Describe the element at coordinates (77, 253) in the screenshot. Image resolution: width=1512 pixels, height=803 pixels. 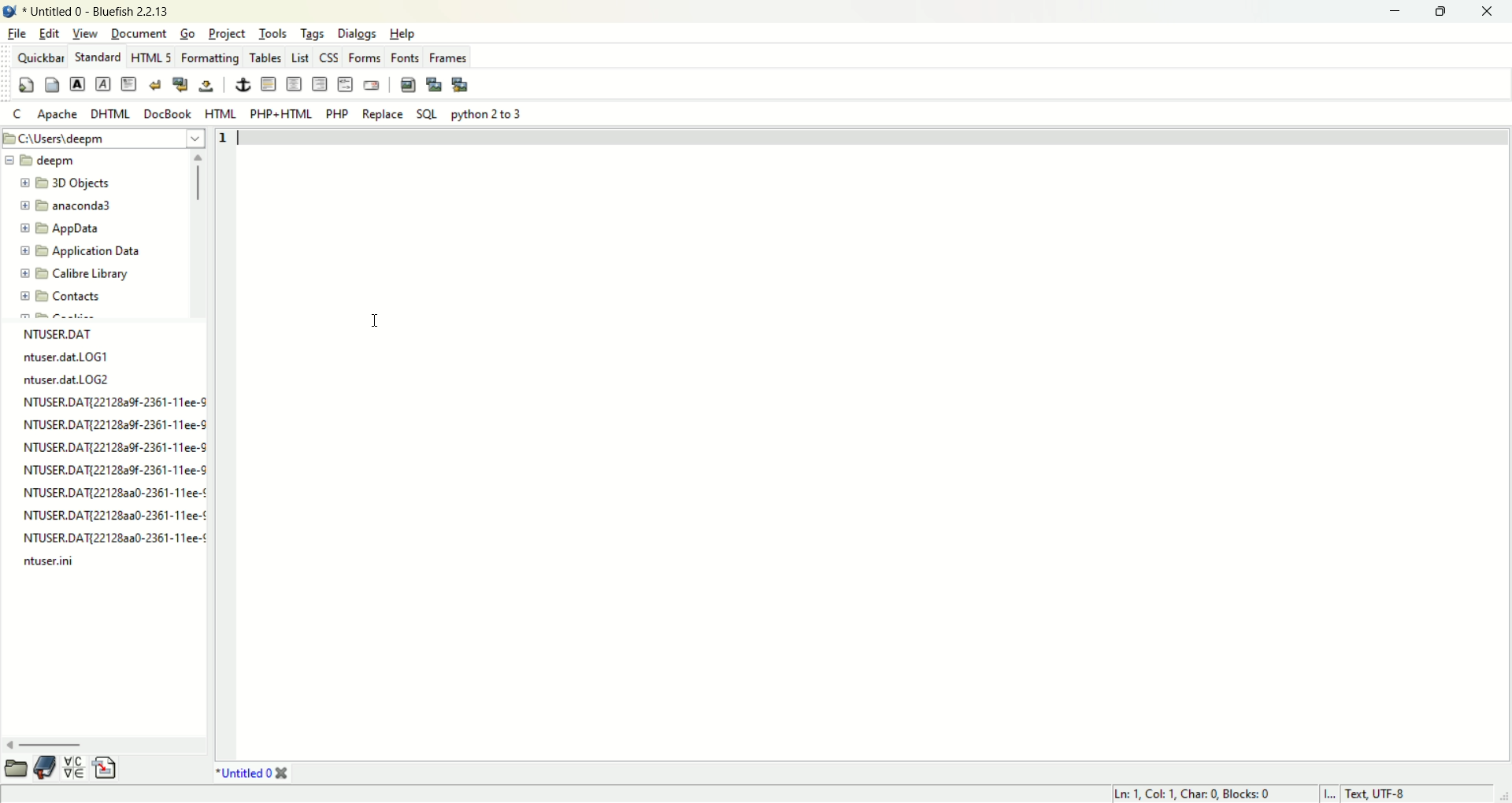
I see `application` at that location.